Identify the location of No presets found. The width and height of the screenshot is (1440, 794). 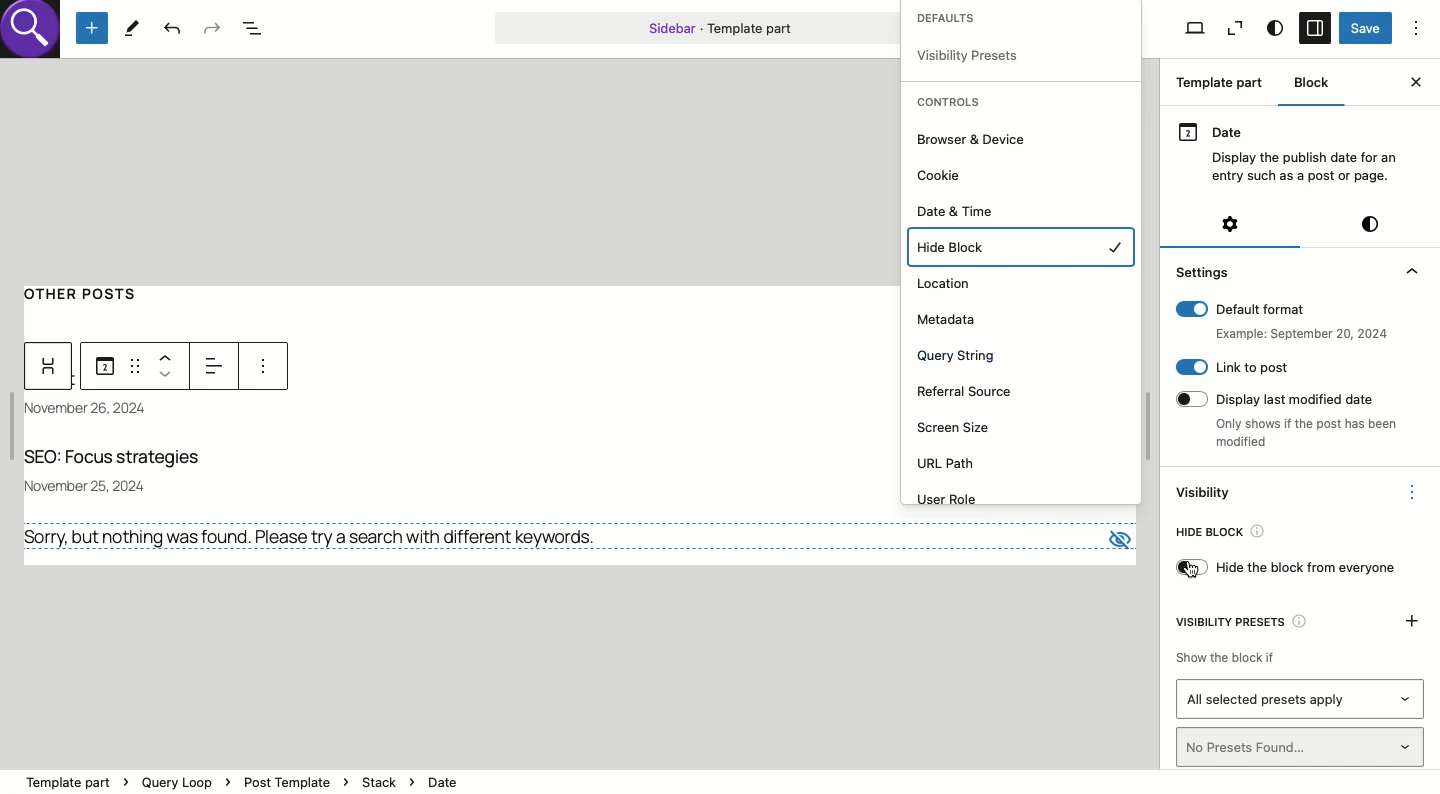
(1302, 747).